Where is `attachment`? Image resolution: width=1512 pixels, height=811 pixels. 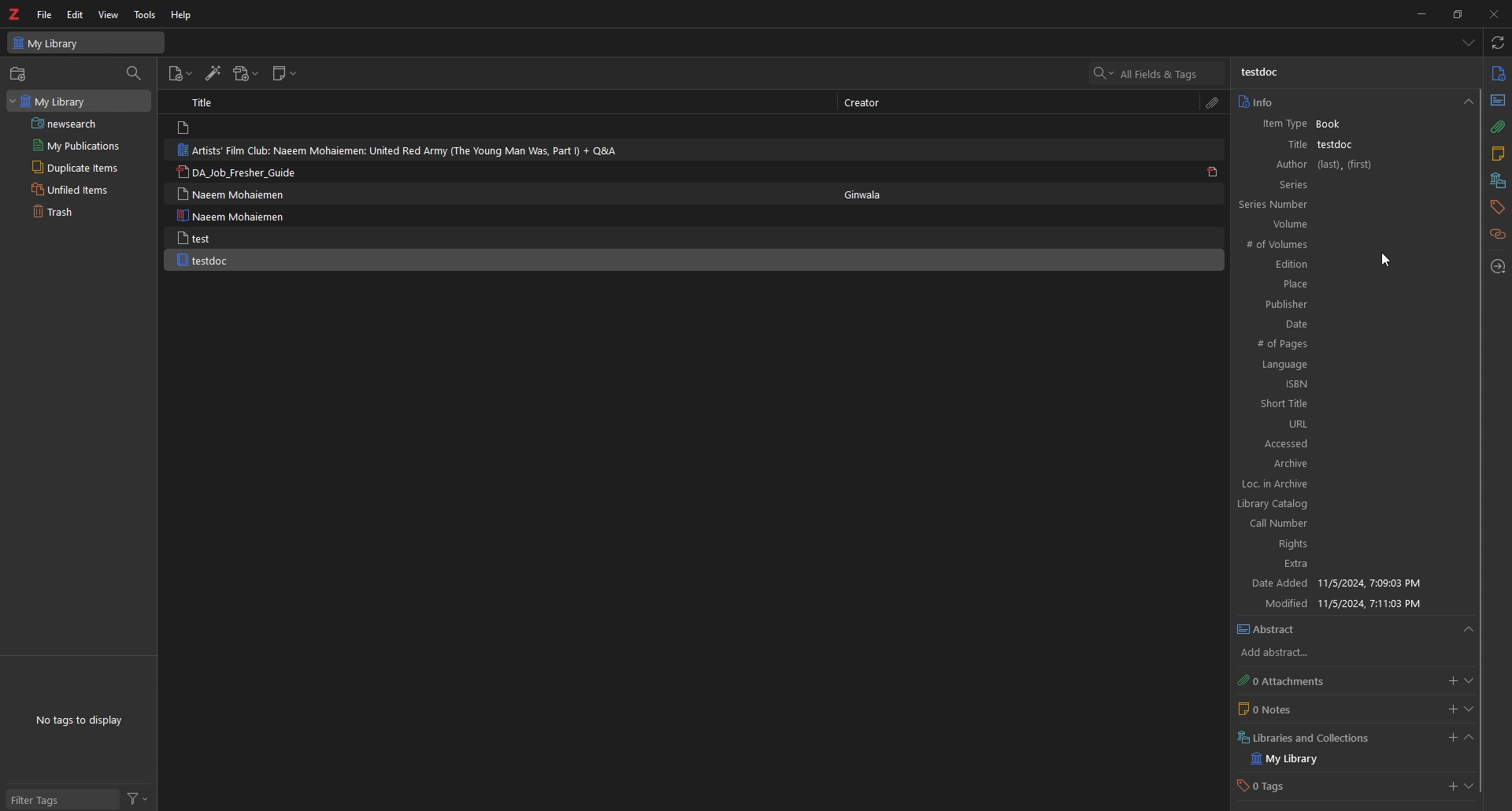
attachment is located at coordinates (1499, 128).